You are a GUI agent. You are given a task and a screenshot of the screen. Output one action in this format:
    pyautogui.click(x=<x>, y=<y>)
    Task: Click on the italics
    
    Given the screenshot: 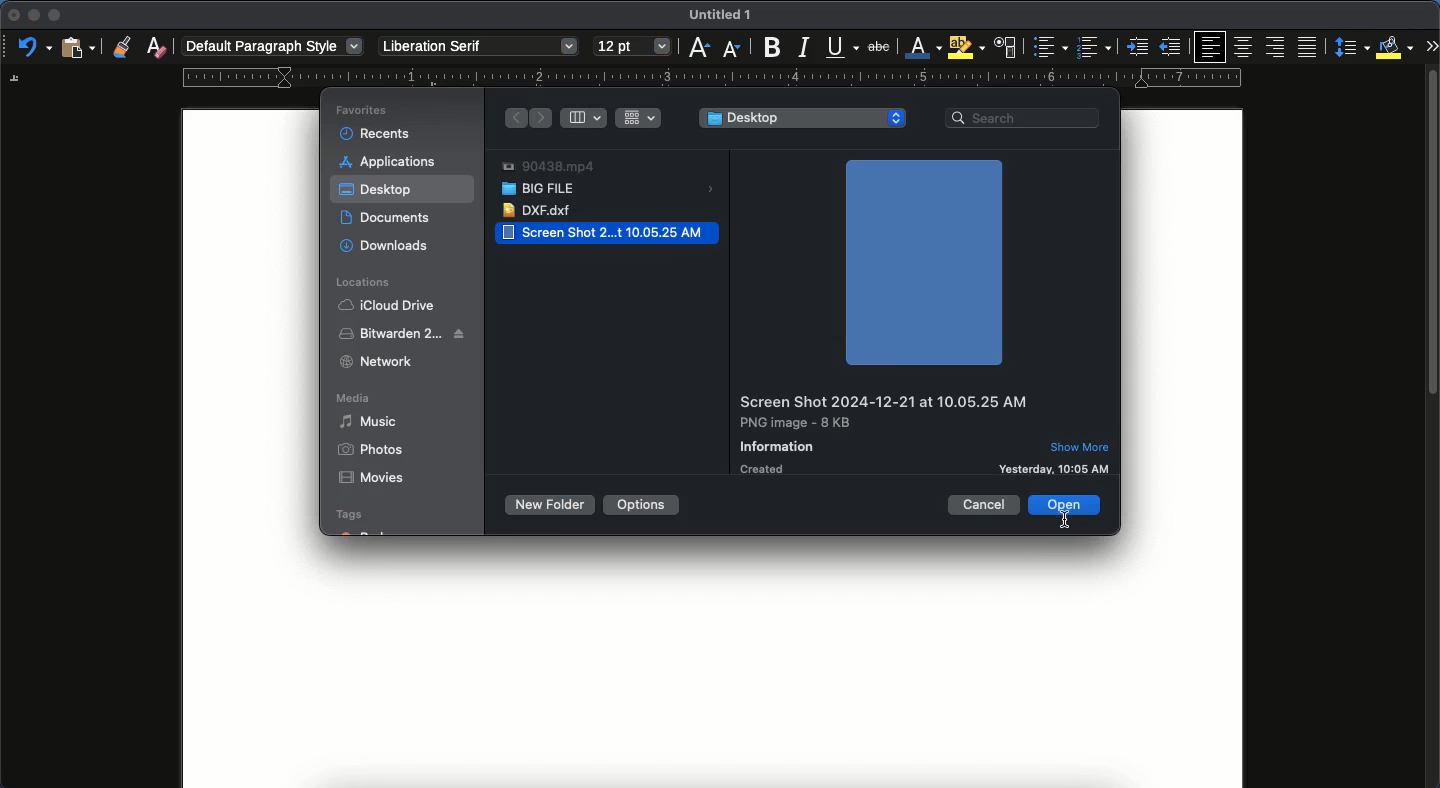 What is the action you would take?
    pyautogui.click(x=803, y=46)
    